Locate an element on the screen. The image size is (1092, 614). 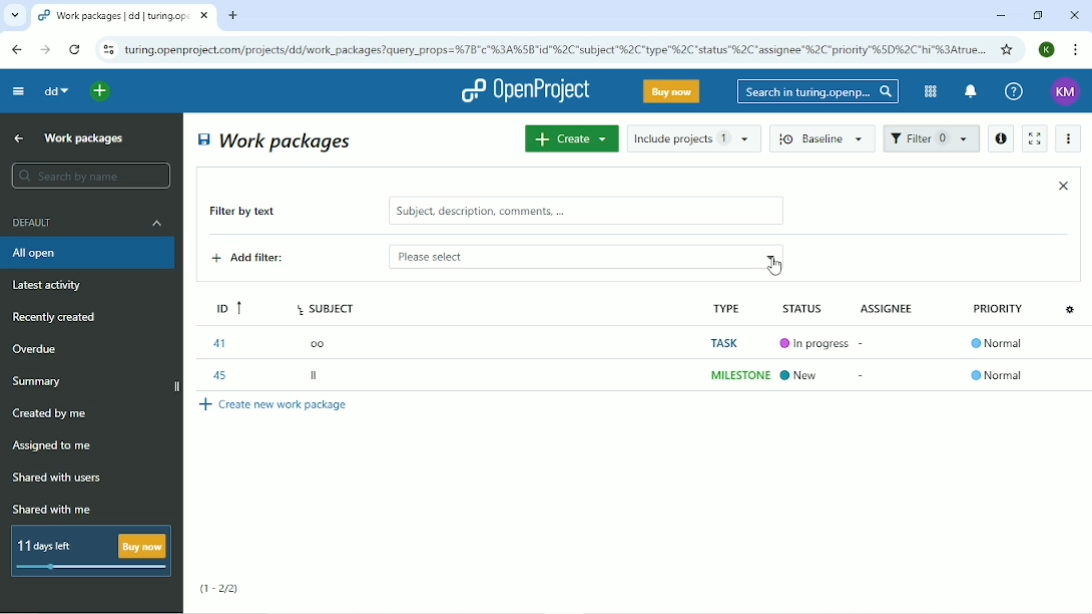
Type is located at coordinates (723, 308).